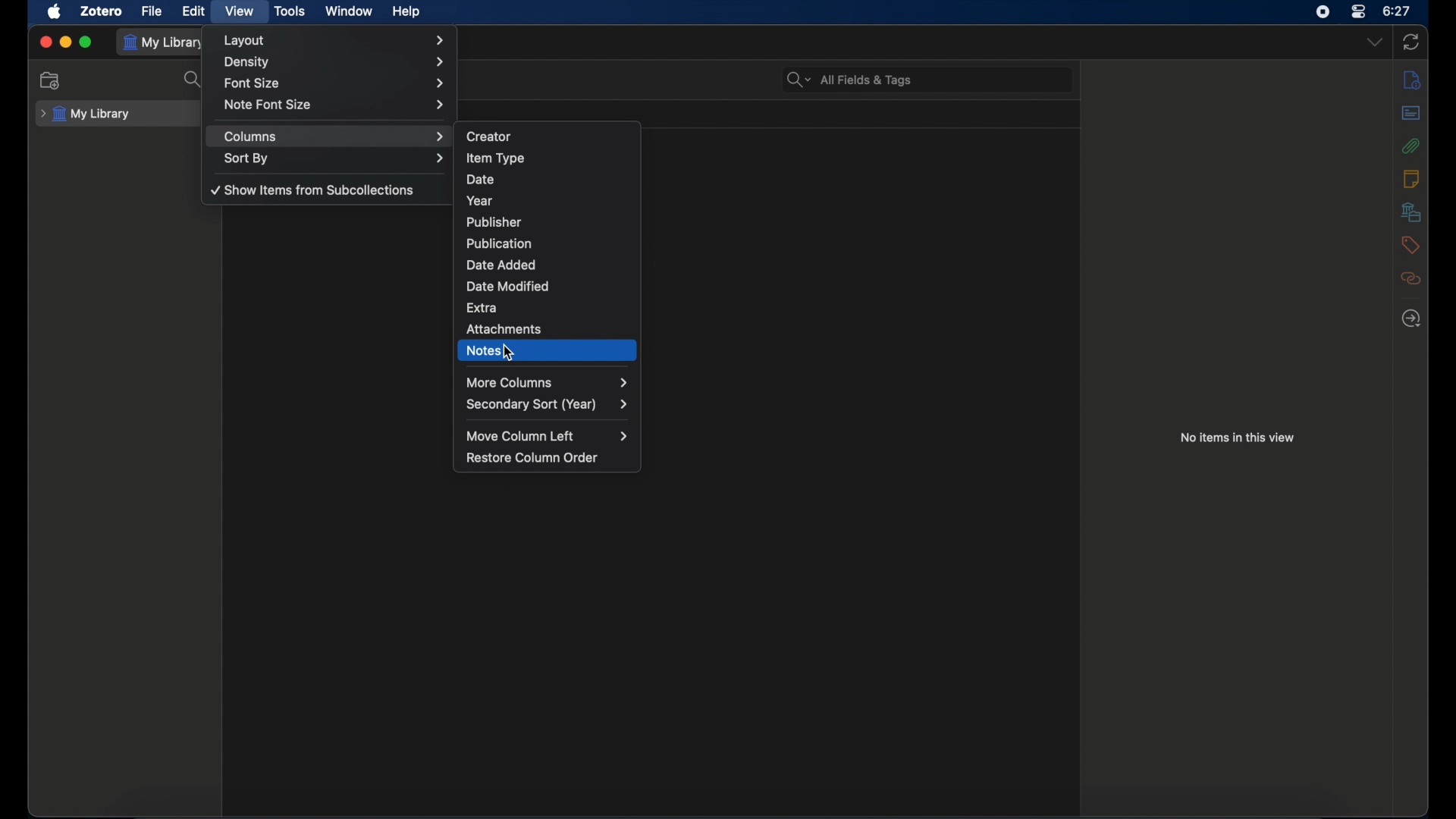 The image size is (1456, 819). I want to click on note font size, so click(335, 104).